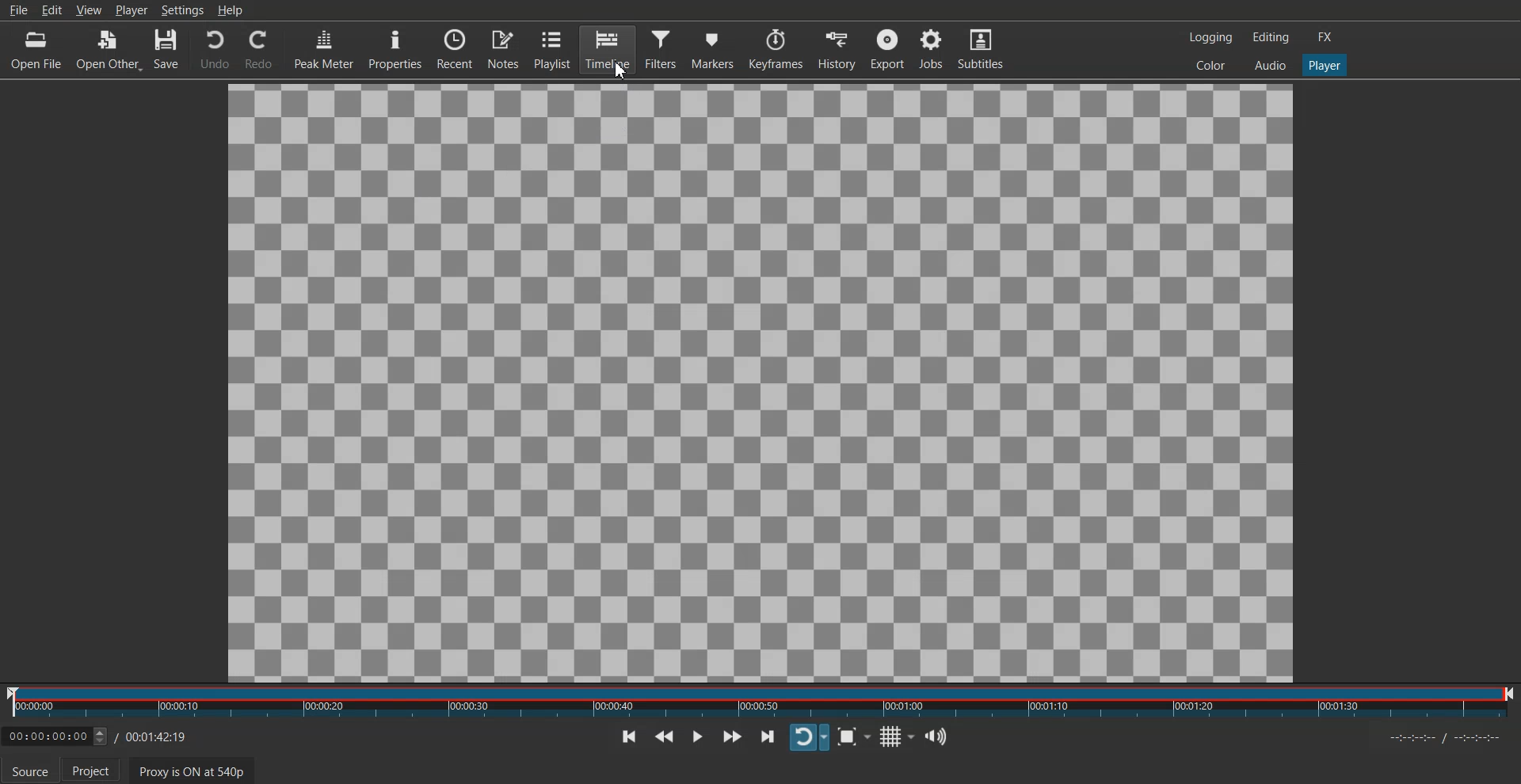  Describe the element at coordinates (731, 736) in the screenshot. I see `Play quickly forwards` at that location.